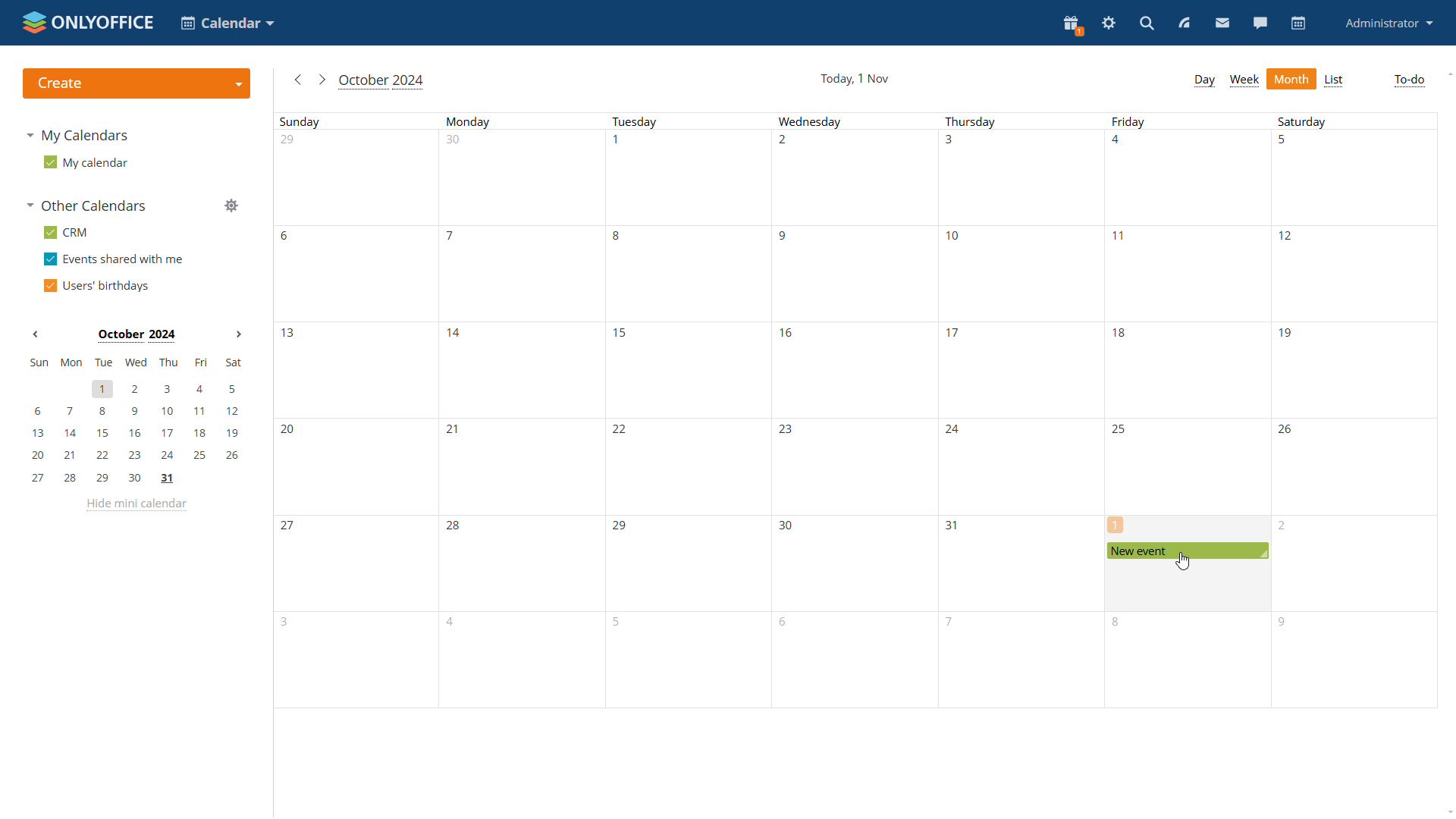 Image resolution: width=1456 pixels, height=819 pixels. Describe the element at coordinates (1186, 411) in the screenshot. I see `Friday` at that location.